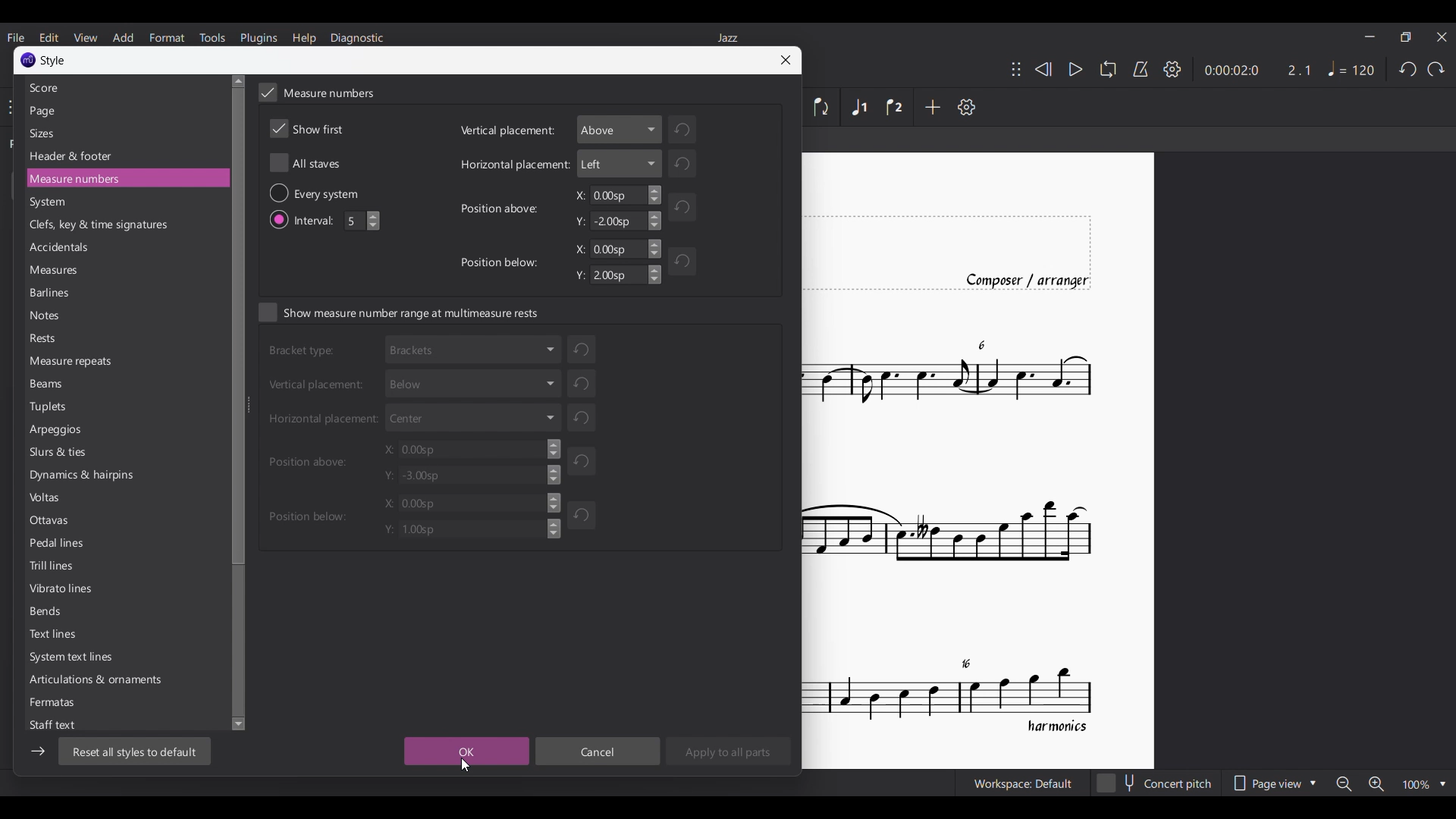 The image size is (1456, 819). Describe the element at coordinates (1016, 69) in the screenshot. I see `Change position` at that location.